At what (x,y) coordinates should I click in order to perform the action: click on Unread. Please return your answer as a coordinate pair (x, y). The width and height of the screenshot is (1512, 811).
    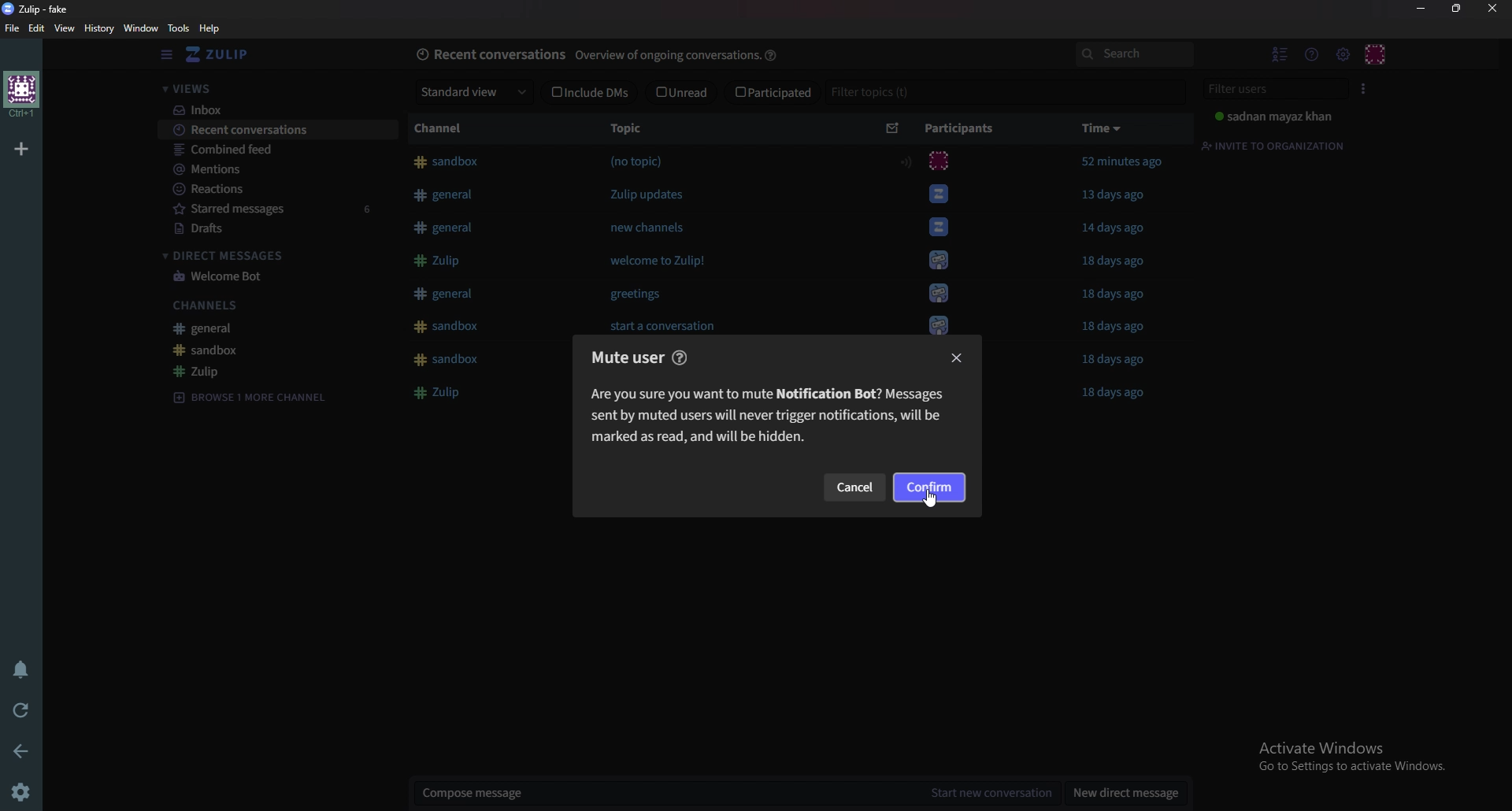
    Looking at the image, I should click on (683, 93).